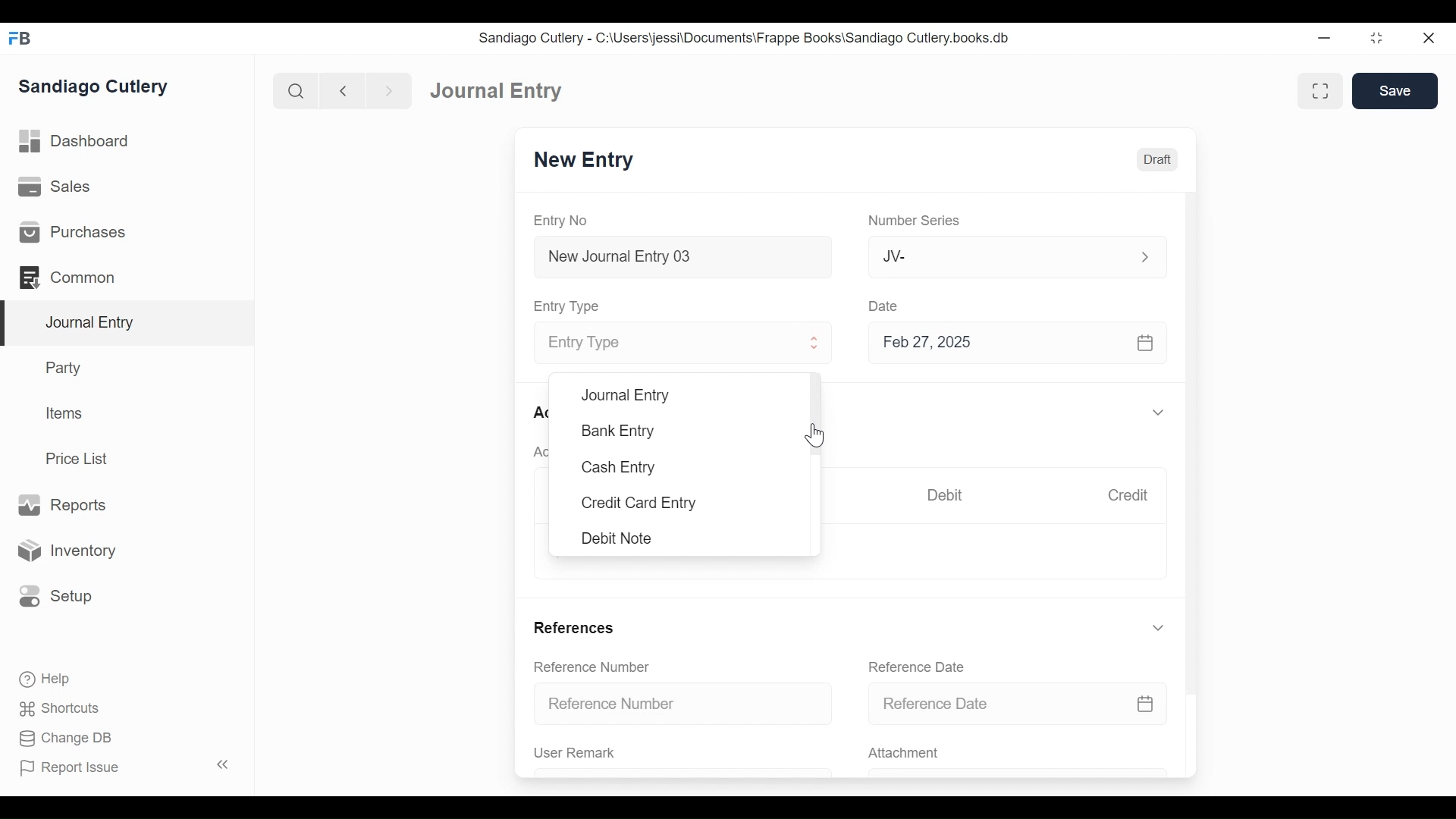 The image size is (1456, 819). Describe the element at coordinates (55, 186) in the screenshot. I see `Sales` at that location.